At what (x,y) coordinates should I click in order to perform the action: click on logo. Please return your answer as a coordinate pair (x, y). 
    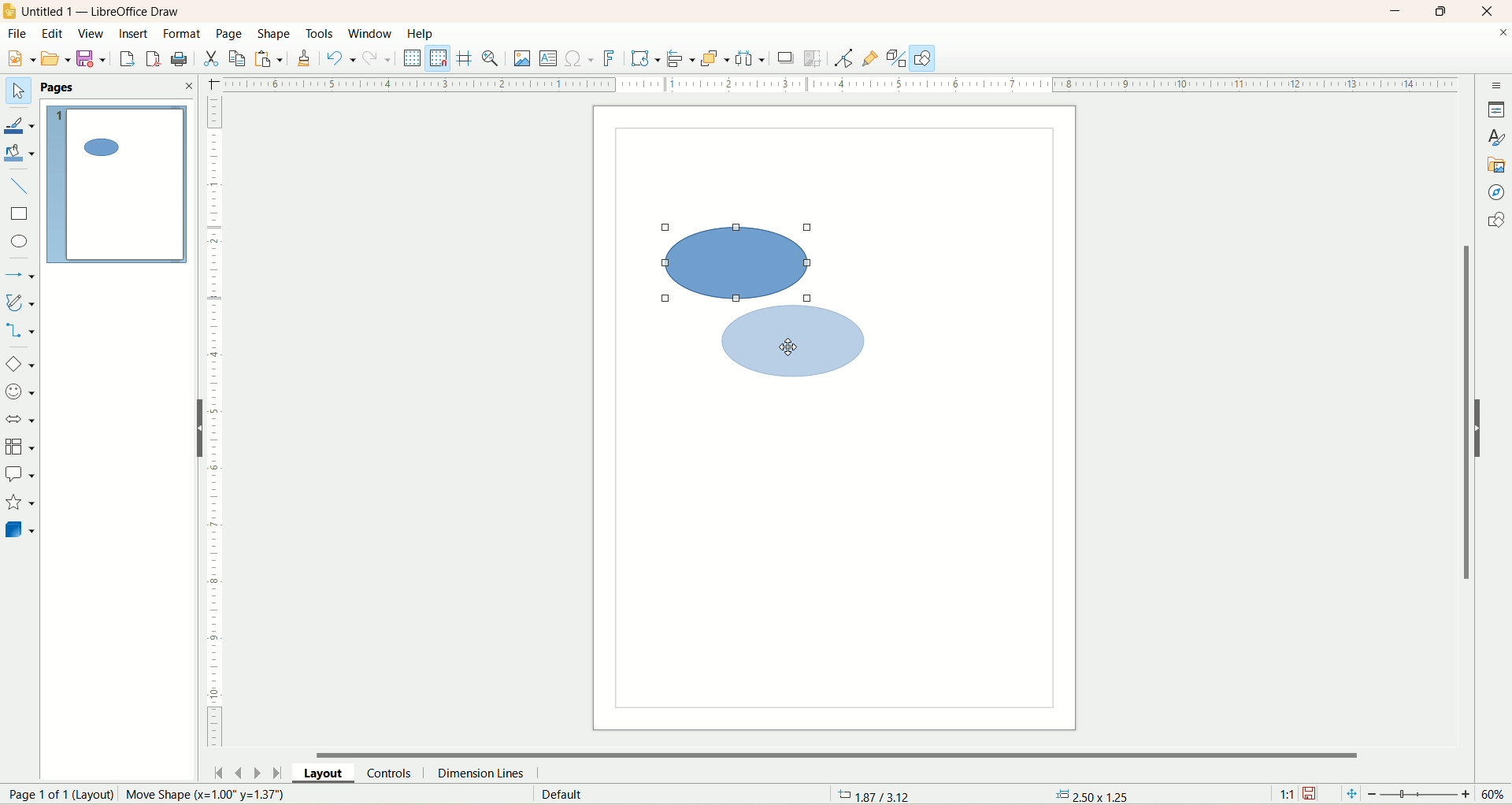
    Looking at the image, I should click on (10, 10).